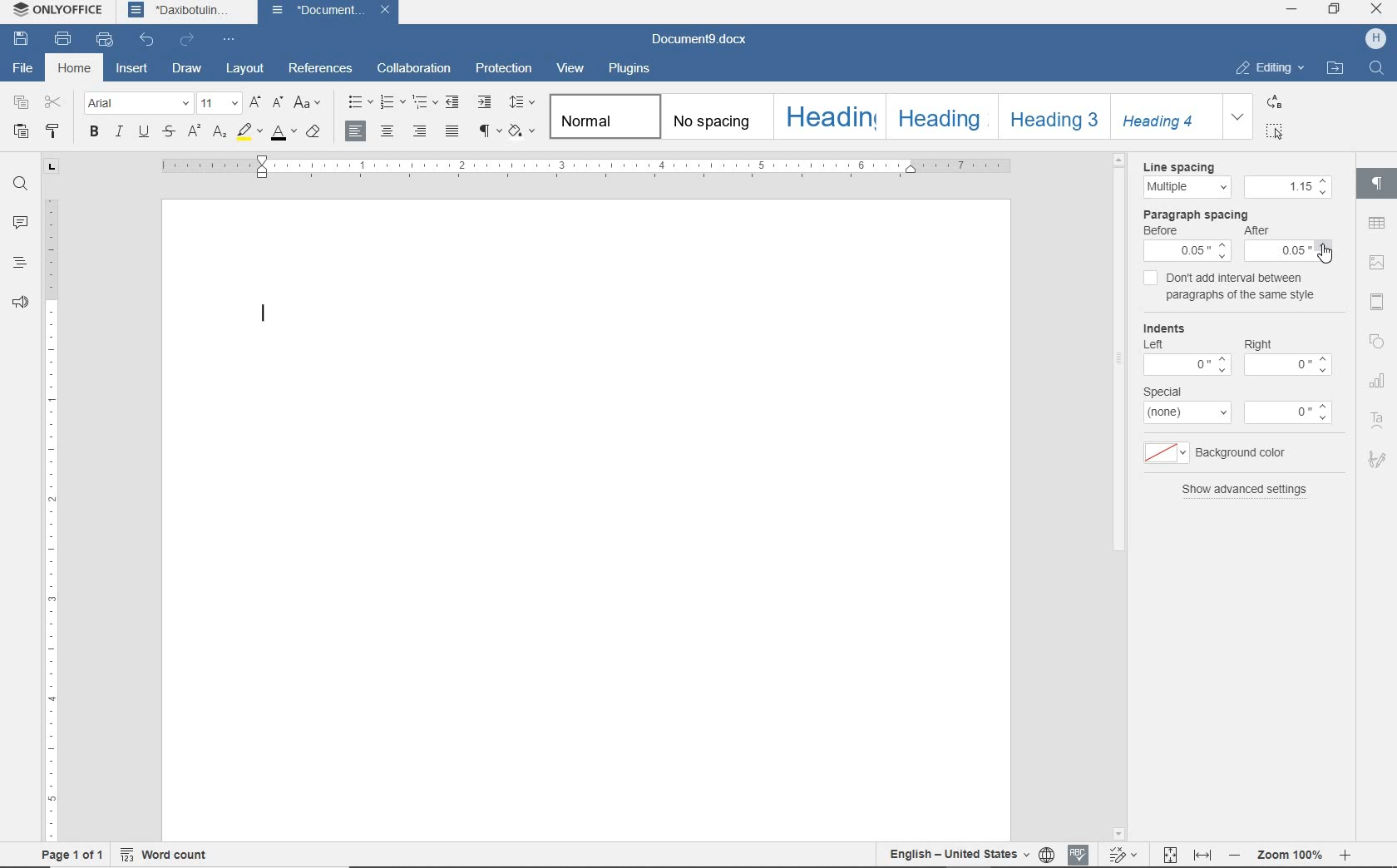 The height and width of the screenshot is (868, 1397). What do you see at coordinates (1288, 187) in the screenshot?
I see `spacing` at bounding box center [1288, 187].